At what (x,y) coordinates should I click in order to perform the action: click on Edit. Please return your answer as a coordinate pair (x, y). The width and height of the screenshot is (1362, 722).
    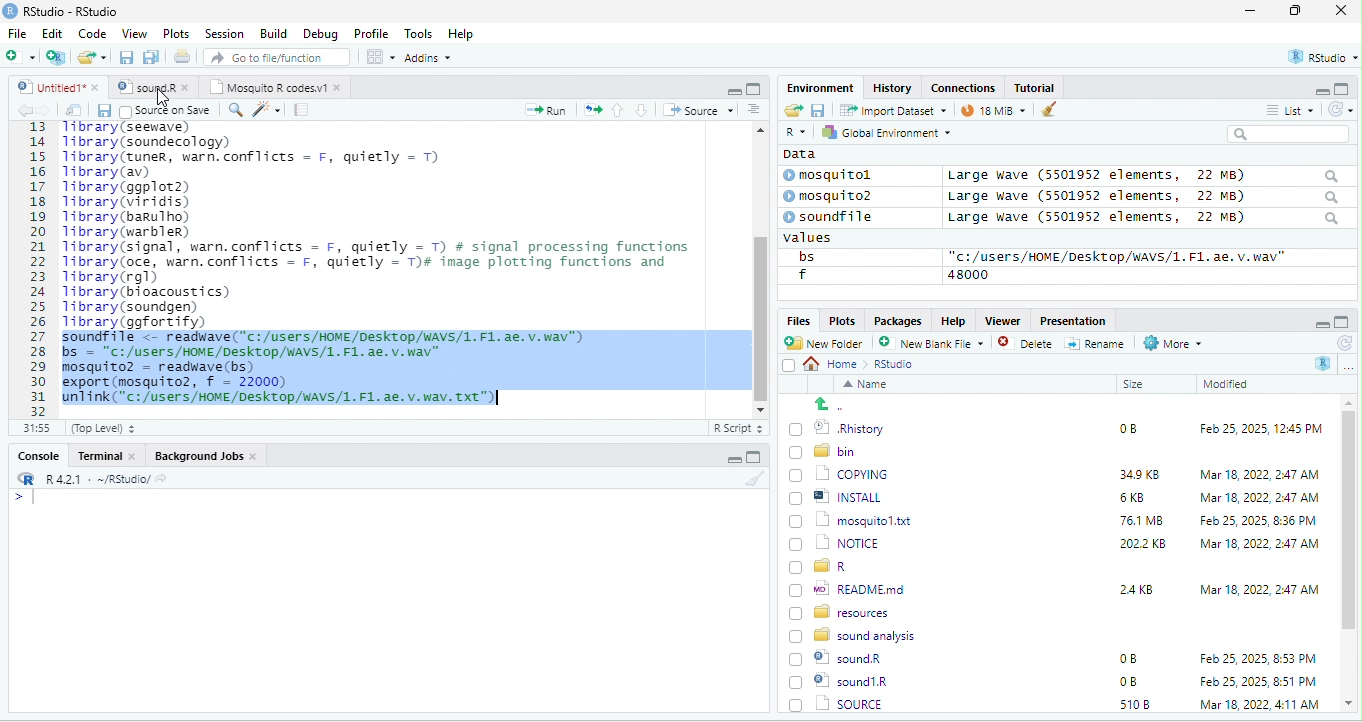
    Looking at the image, I should click on (54, 33).